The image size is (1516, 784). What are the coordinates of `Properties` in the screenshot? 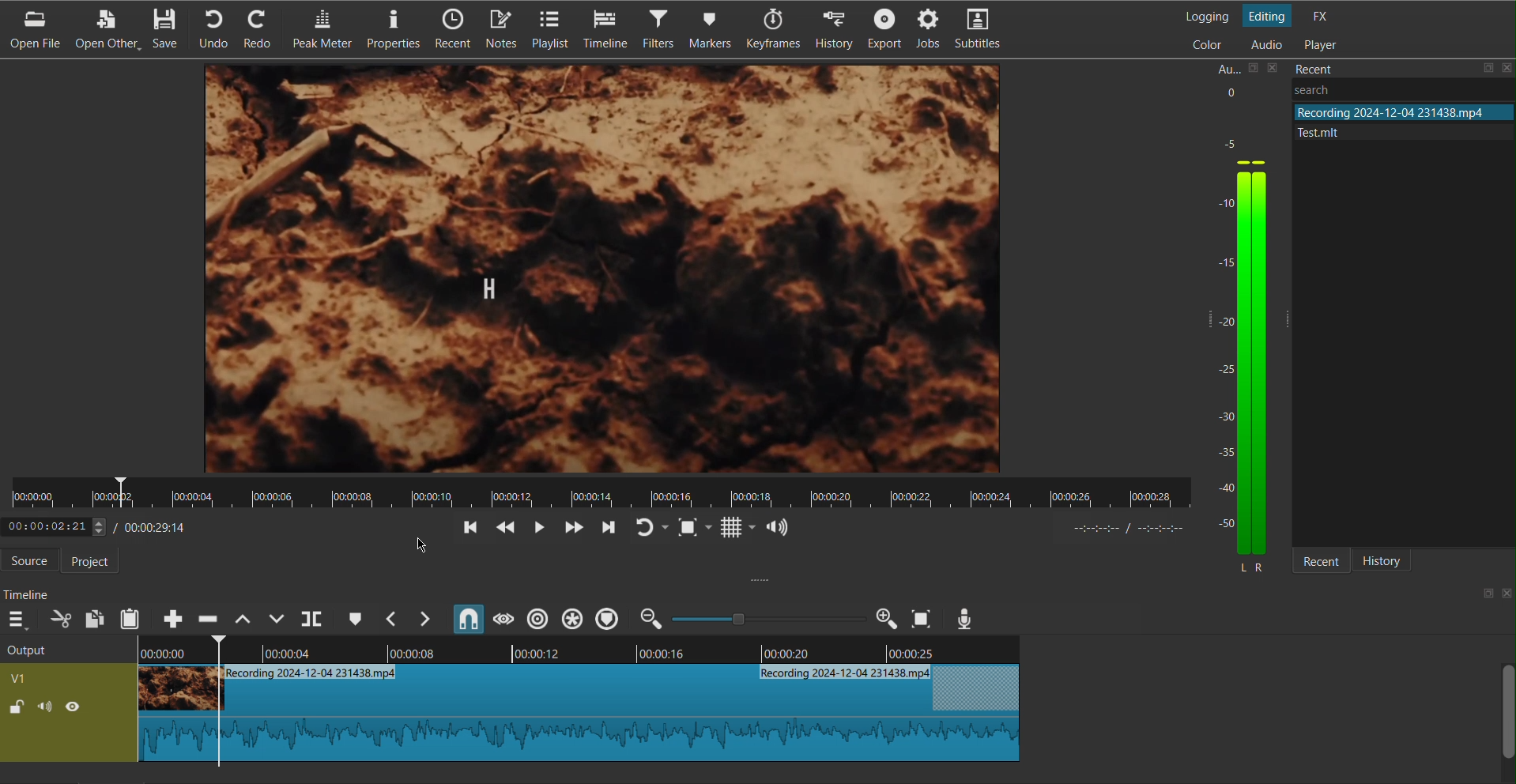 It's located at (390, 30).